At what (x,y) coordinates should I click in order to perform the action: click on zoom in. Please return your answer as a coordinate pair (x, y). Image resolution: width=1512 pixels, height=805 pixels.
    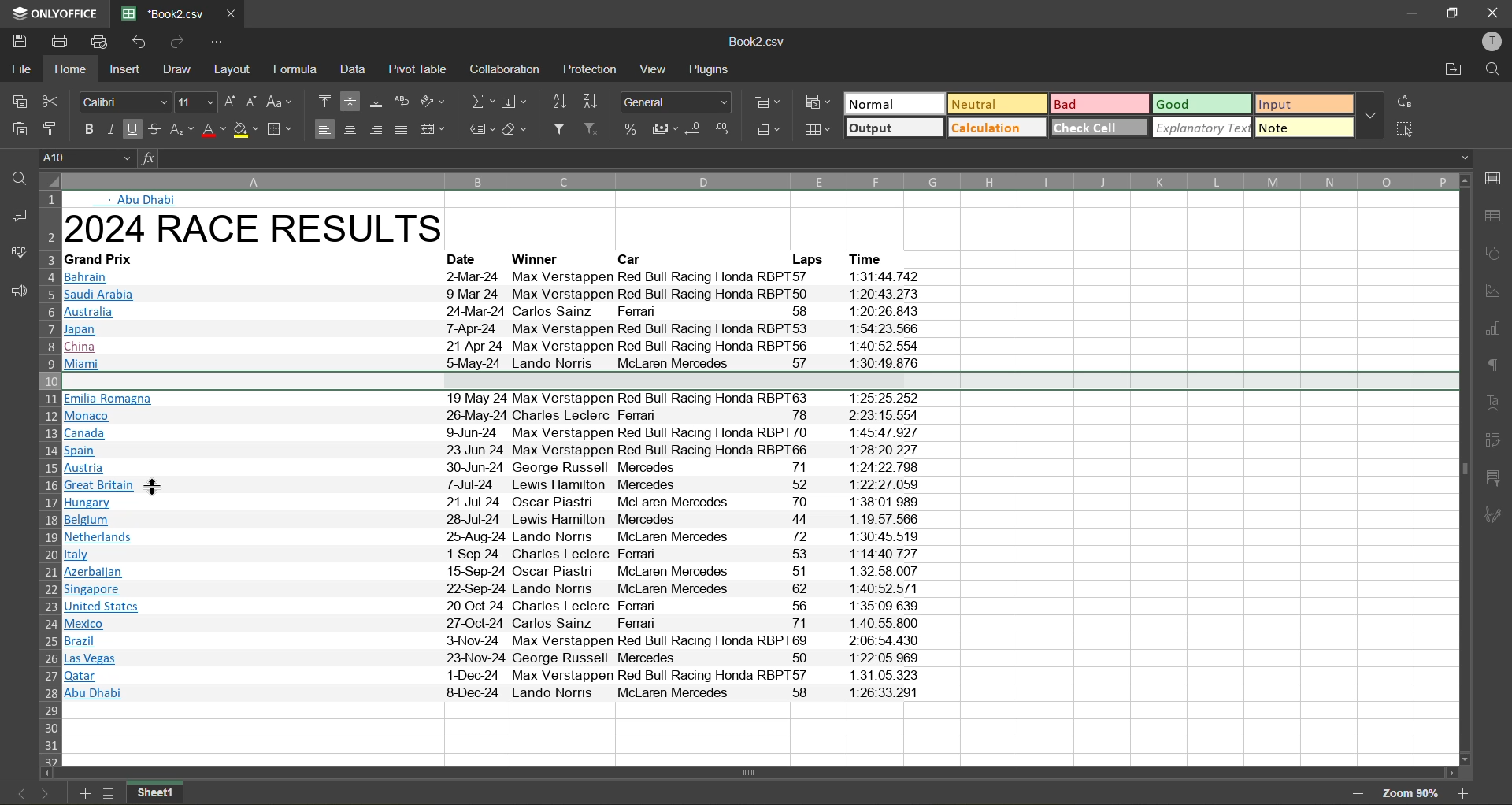
    Looking at the image, I should click on (1466, 794).